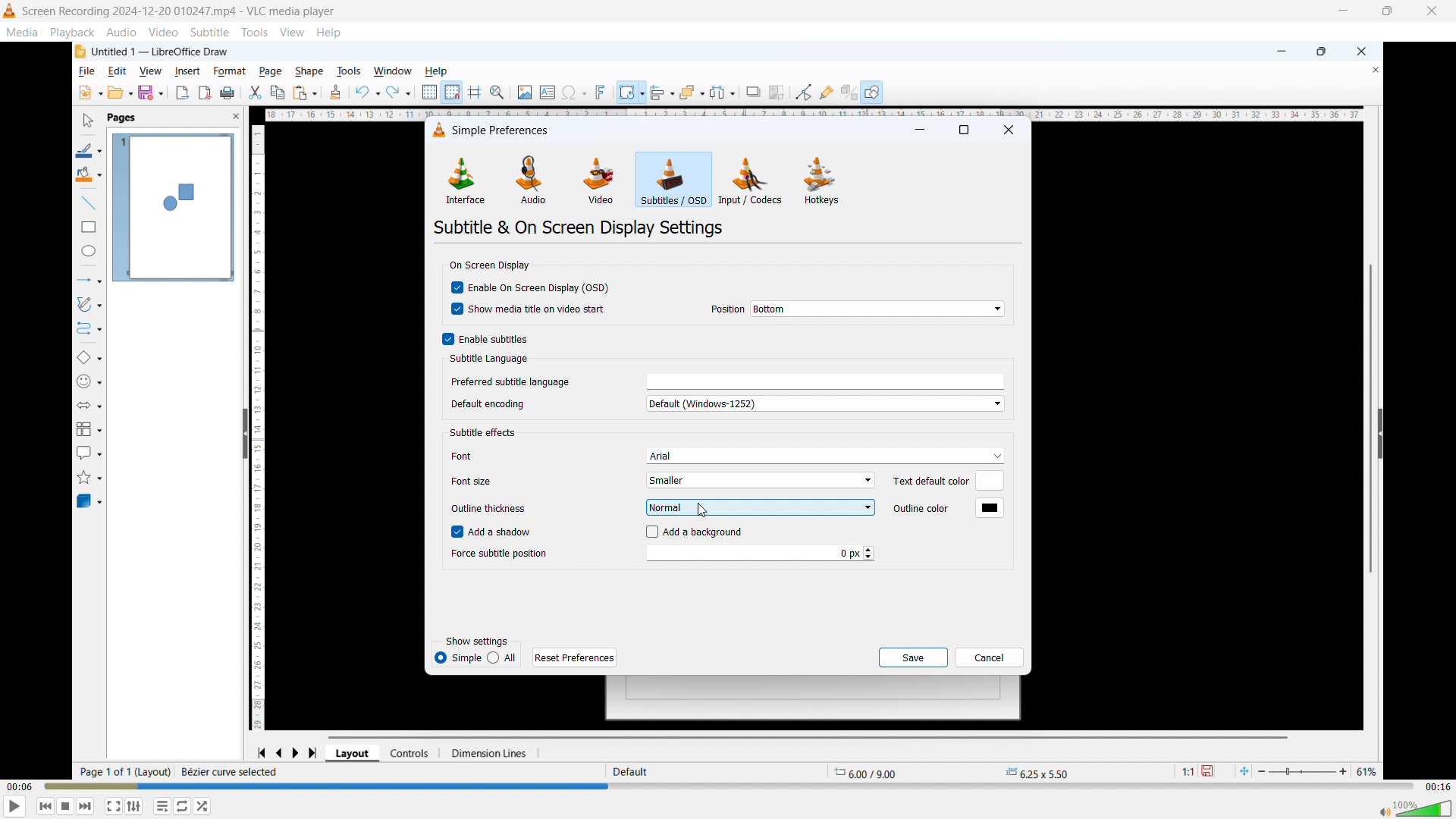  I want to click on Default encoding, so click(824, 404).